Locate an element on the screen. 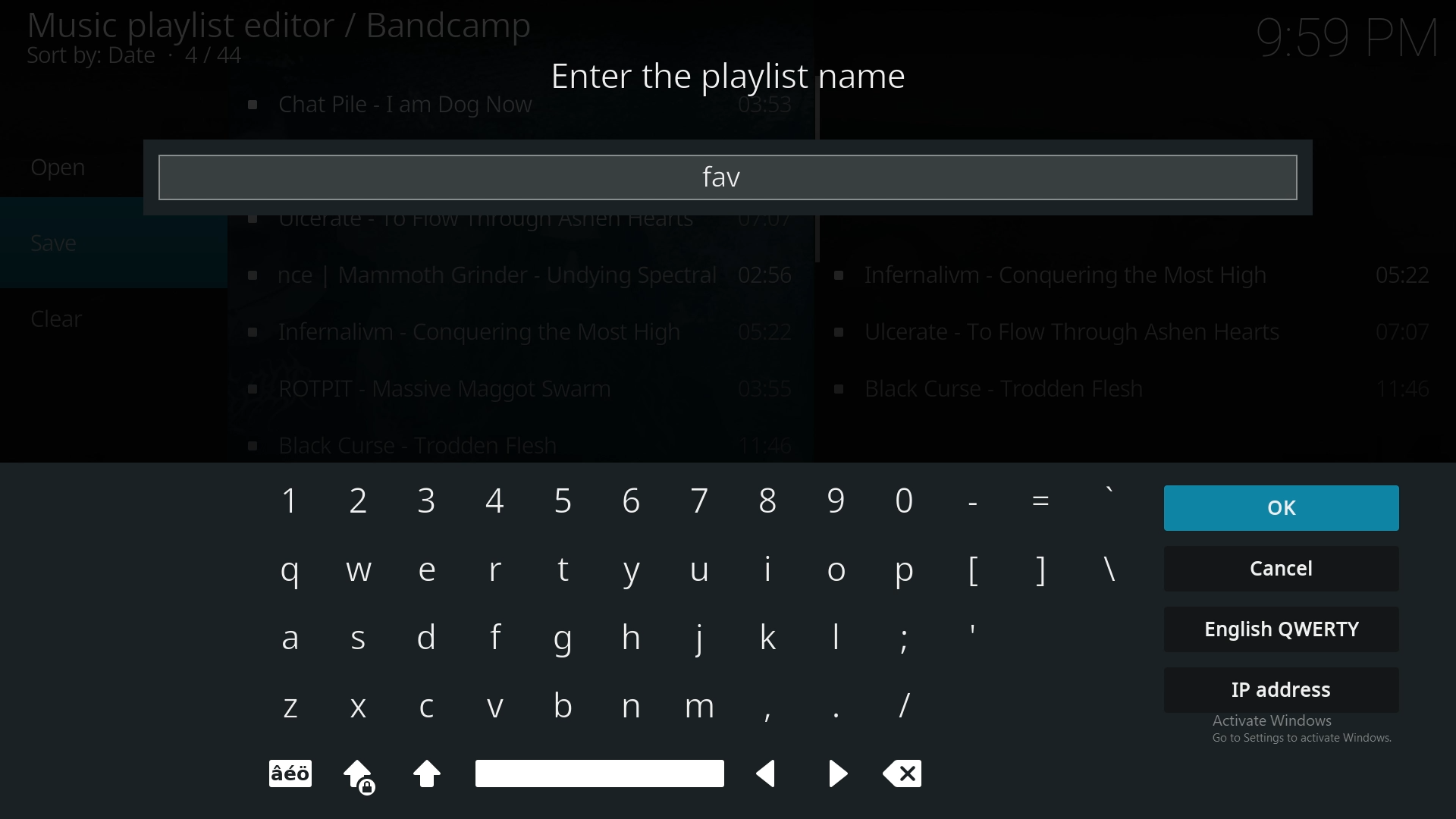 The height and width of the screenshot is (819, 1456). Music playlist editor / Bandcamp is located at coordinates (281, 26).